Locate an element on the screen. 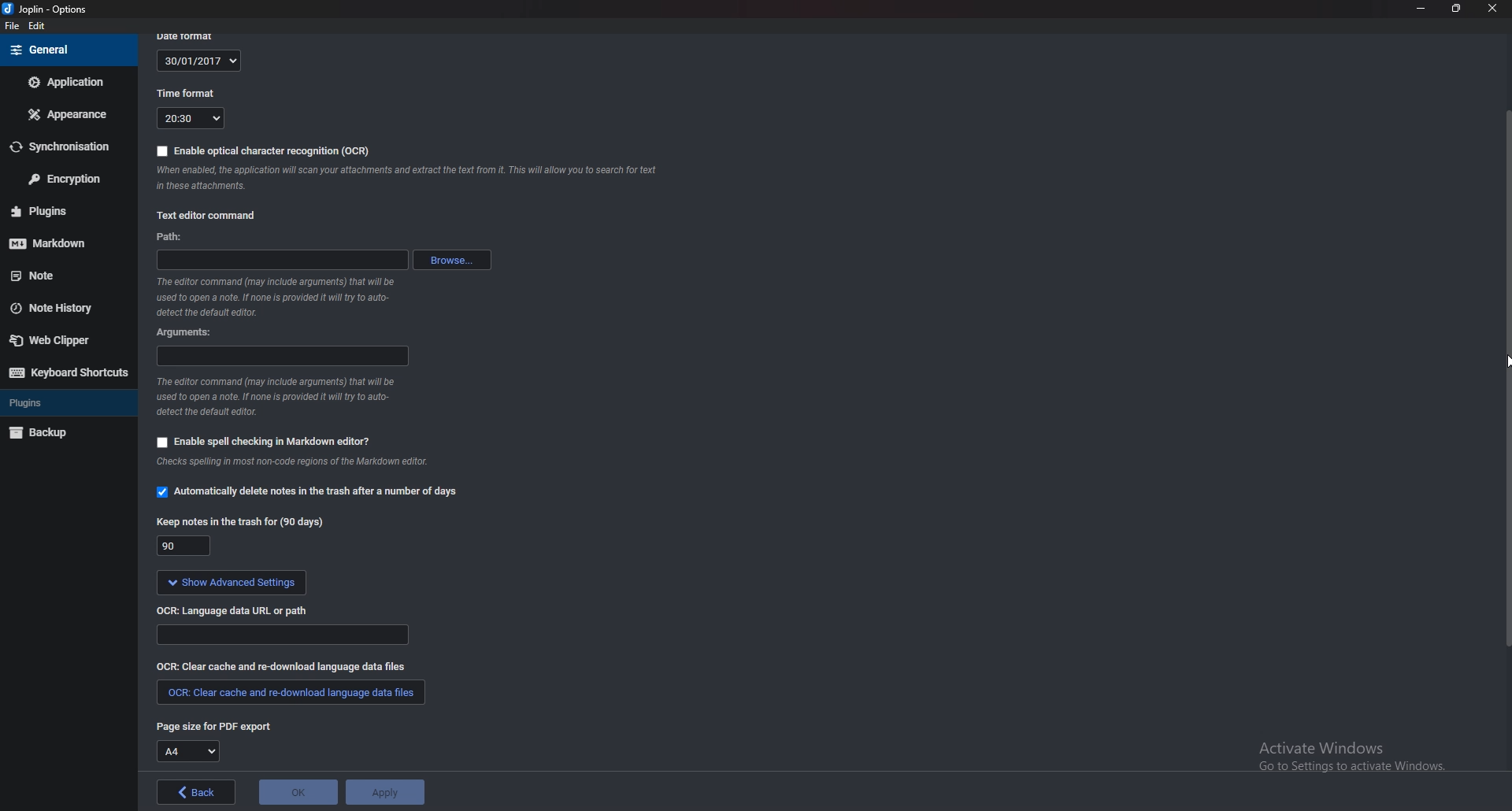  Info on editor command is located at coordinates (287, 394).